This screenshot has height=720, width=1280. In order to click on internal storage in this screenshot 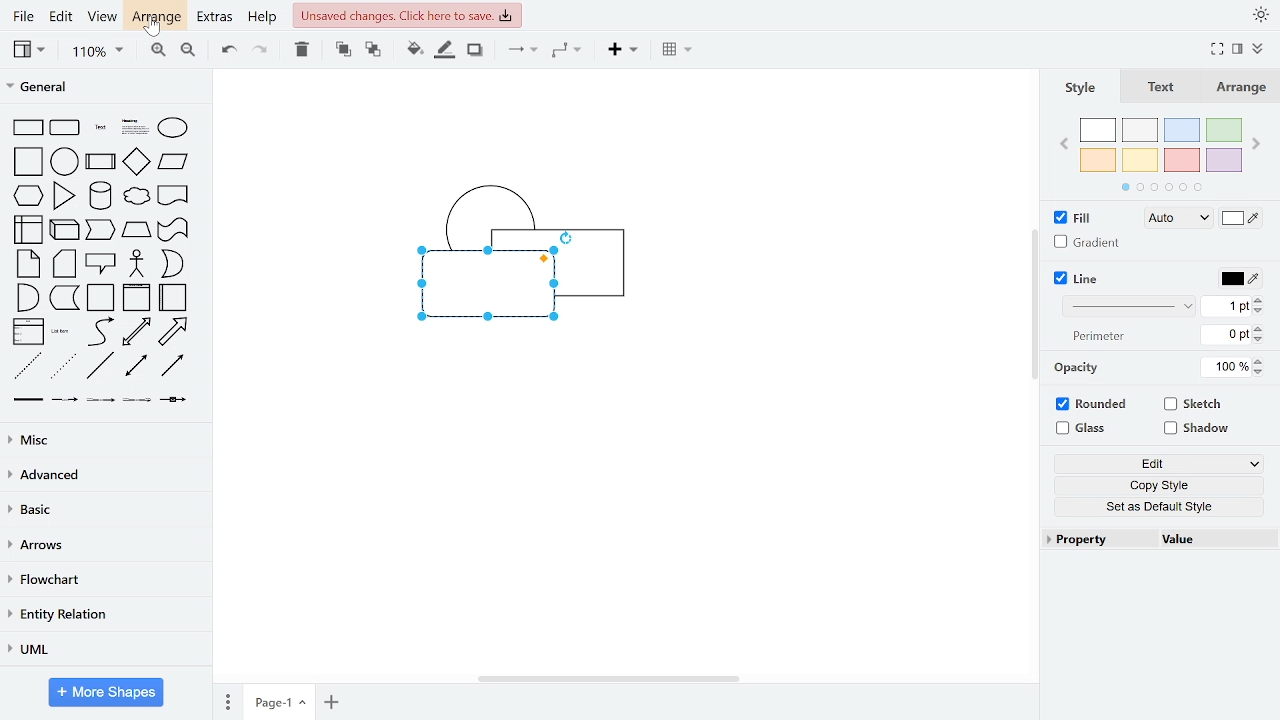, I will do `click(30, 230)`.